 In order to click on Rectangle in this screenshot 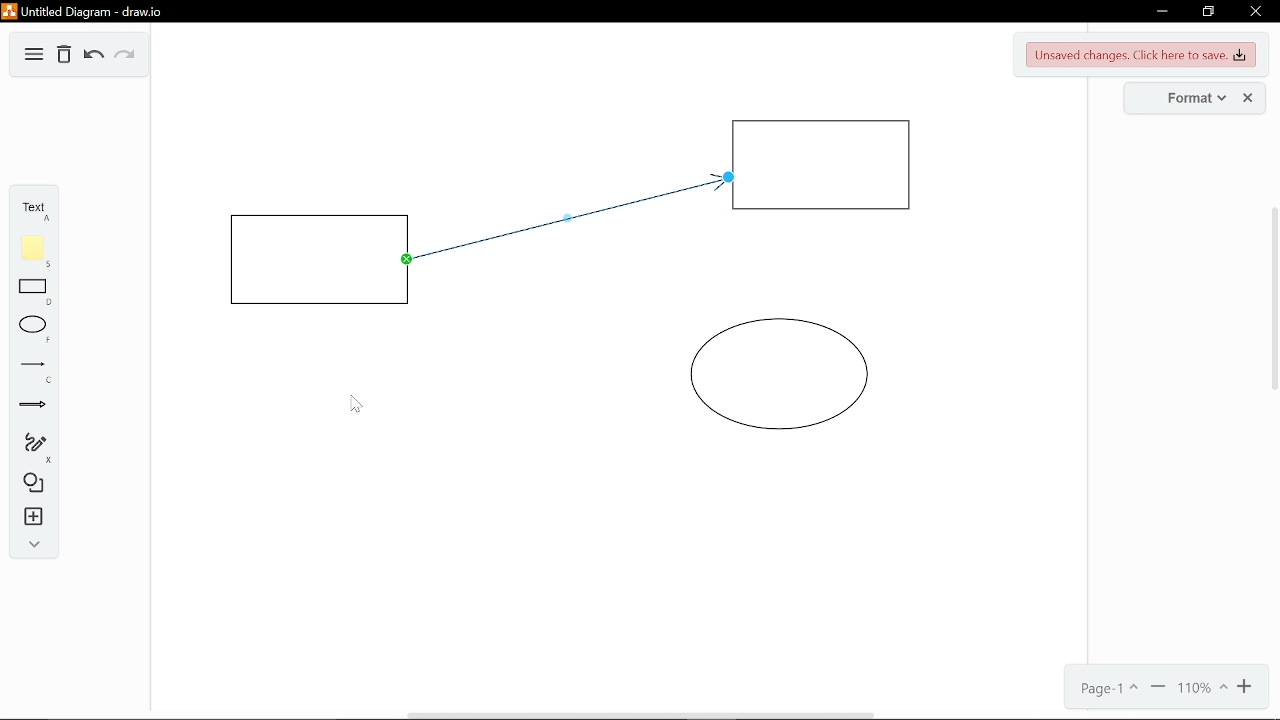, I will do `click(824, 166)`.